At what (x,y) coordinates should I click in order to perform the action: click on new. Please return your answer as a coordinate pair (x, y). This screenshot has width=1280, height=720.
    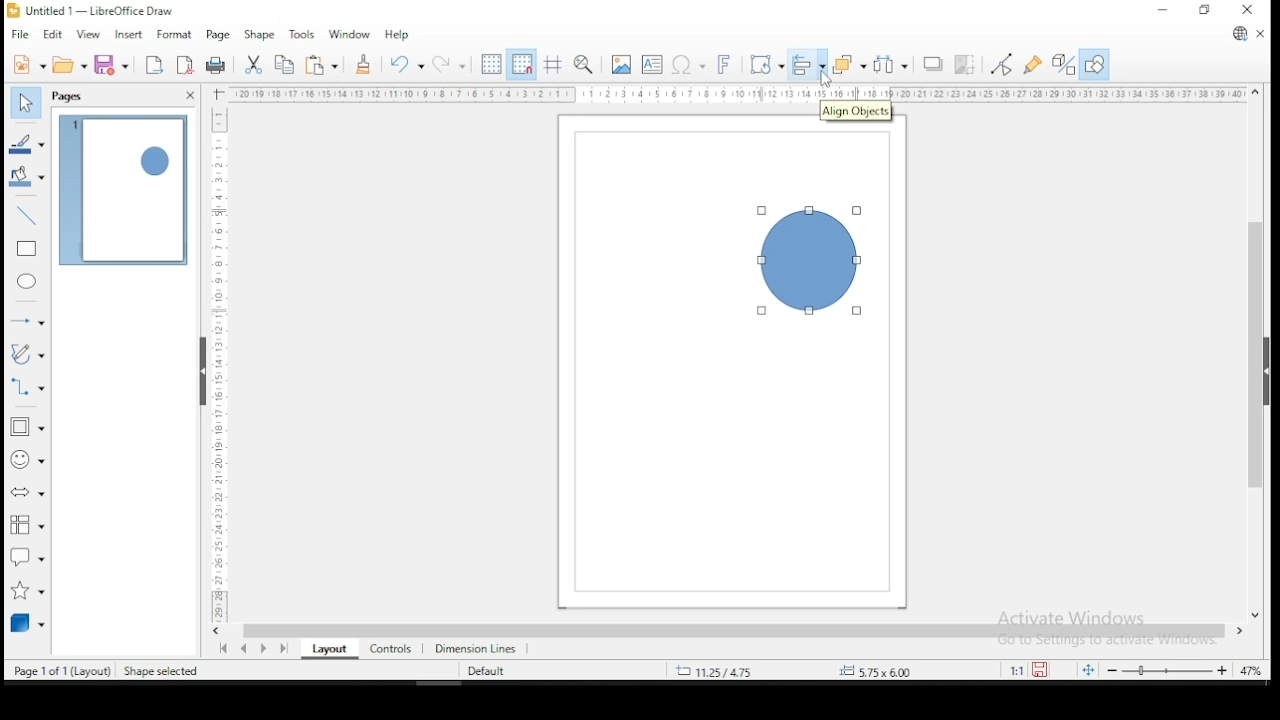
    Looking at the image, I should click on (28, 64).